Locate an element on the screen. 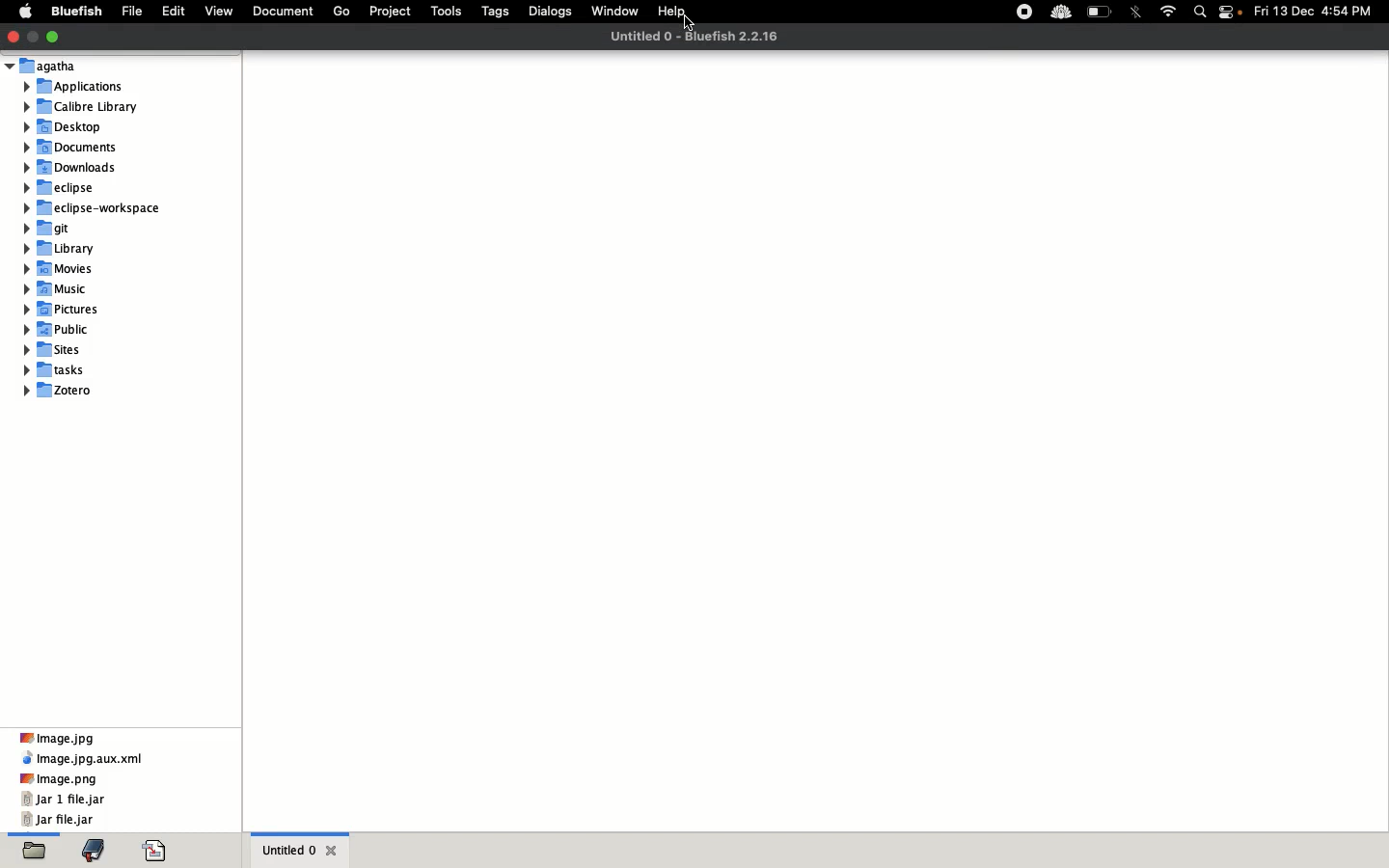  Tags is located at coordinates (495, 12).